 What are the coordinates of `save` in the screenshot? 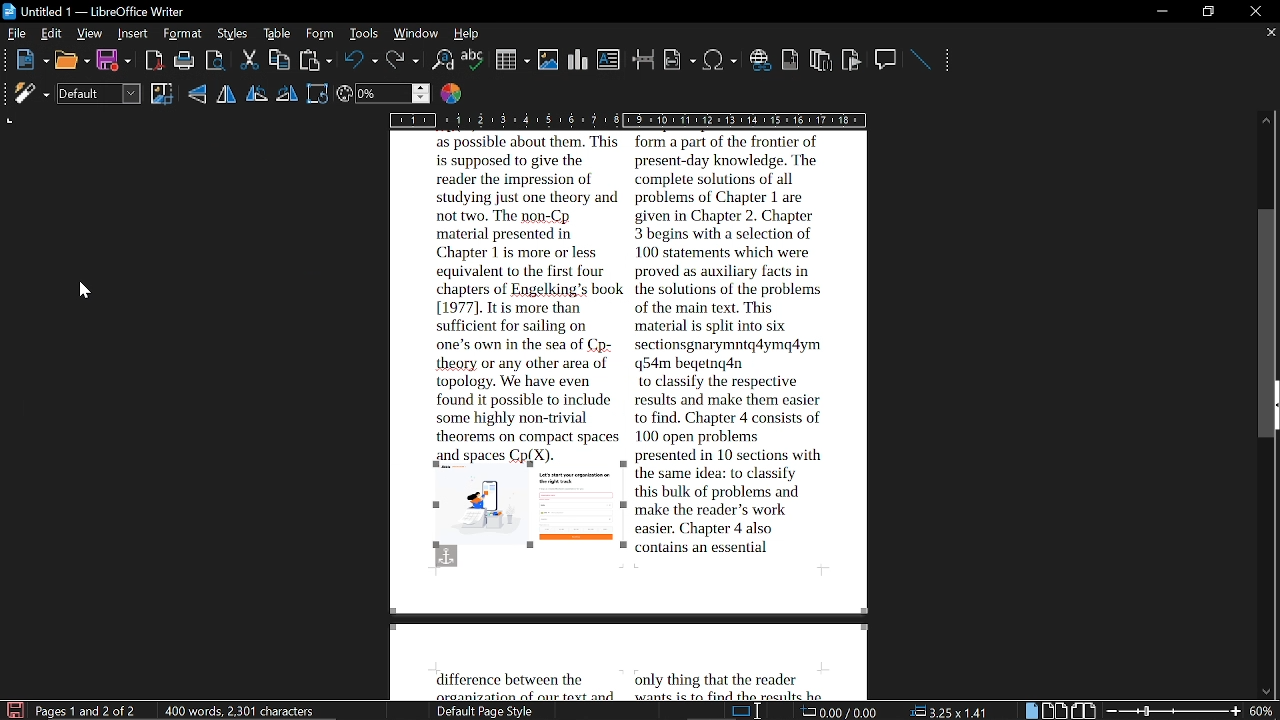 It's located at (13, 710).